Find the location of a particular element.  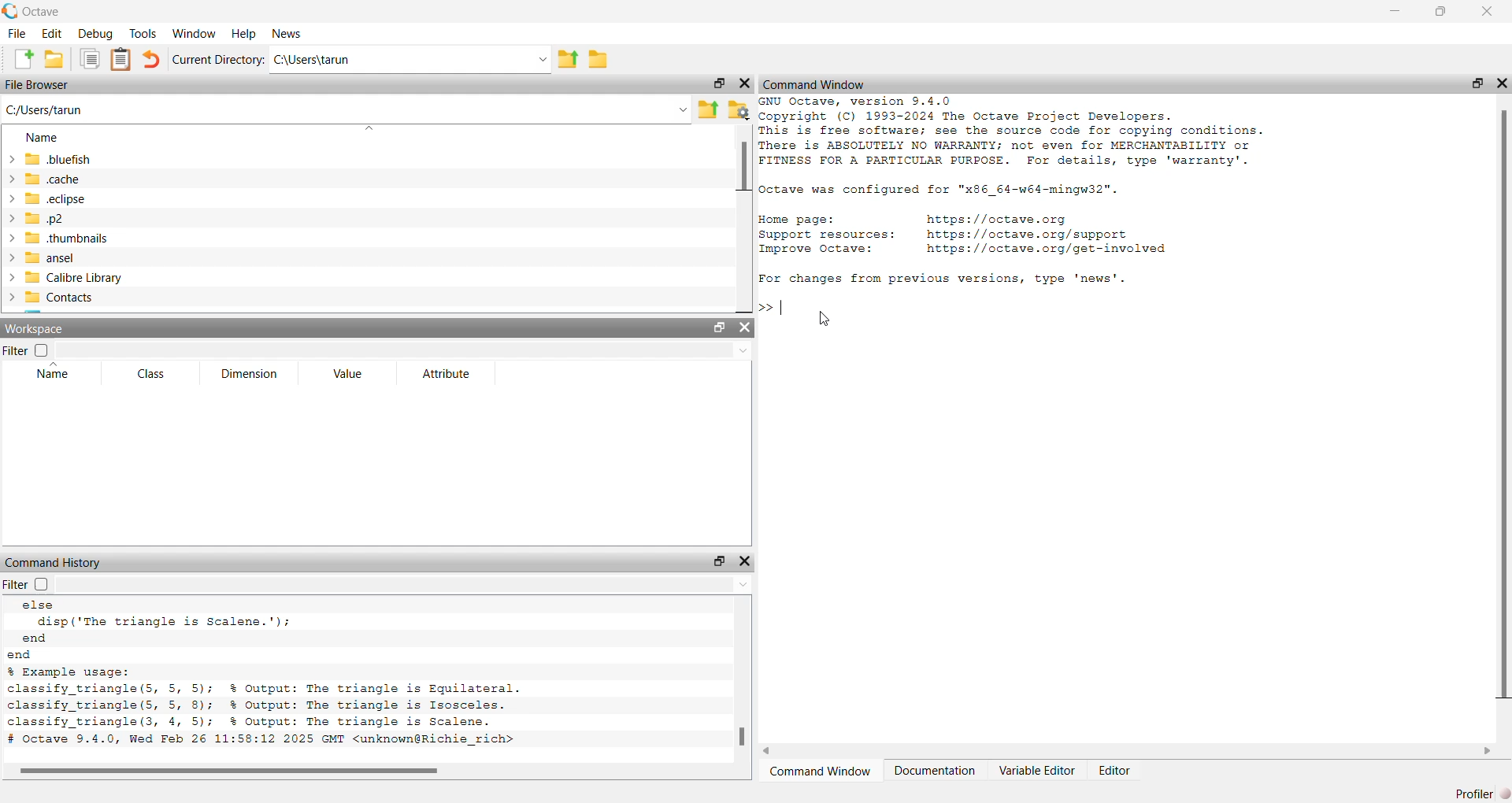

dimension is located at coordinates (248, 375).